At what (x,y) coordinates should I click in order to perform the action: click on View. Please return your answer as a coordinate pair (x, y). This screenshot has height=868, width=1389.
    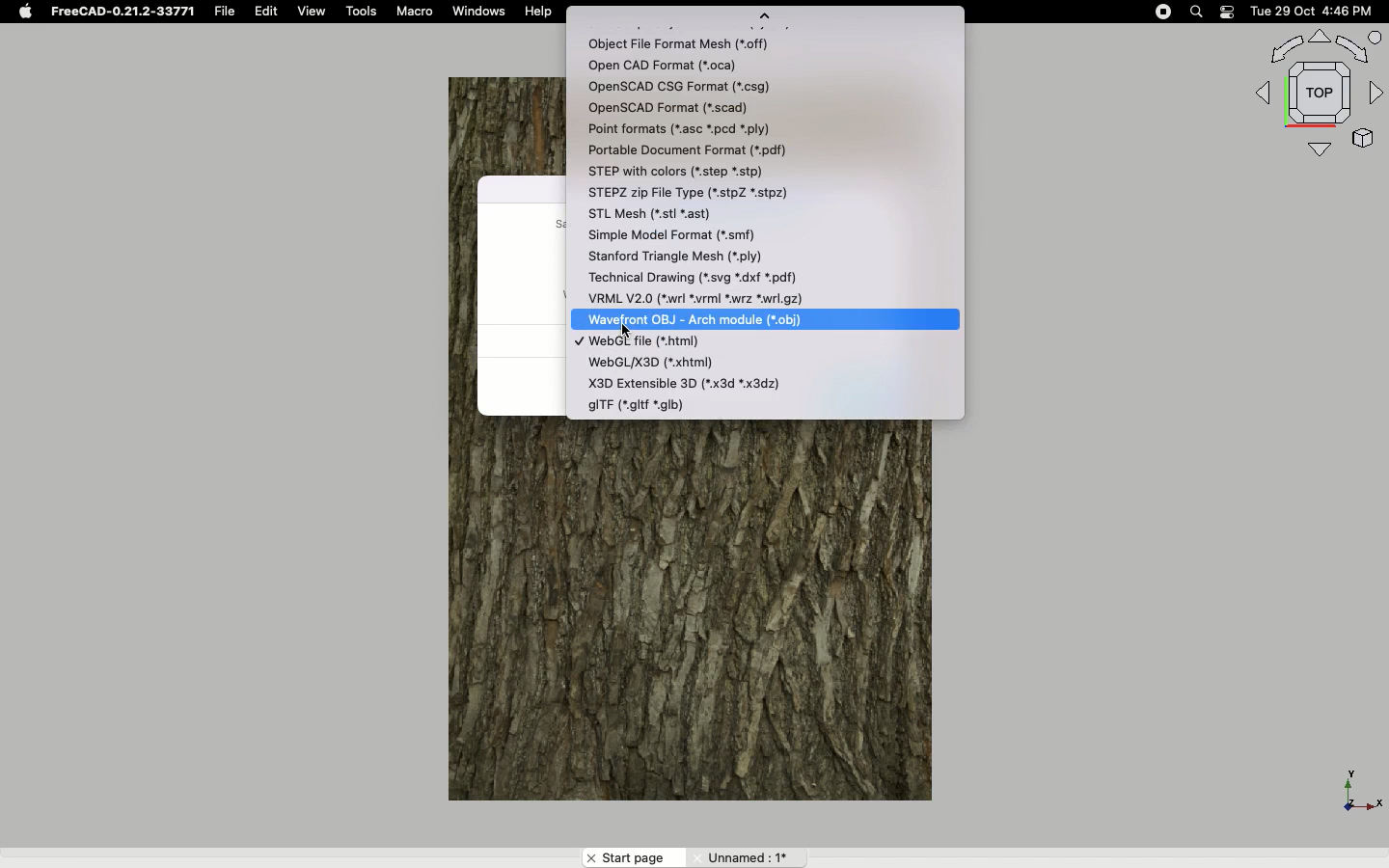
    Looking at the image, I should click on (312, 12).